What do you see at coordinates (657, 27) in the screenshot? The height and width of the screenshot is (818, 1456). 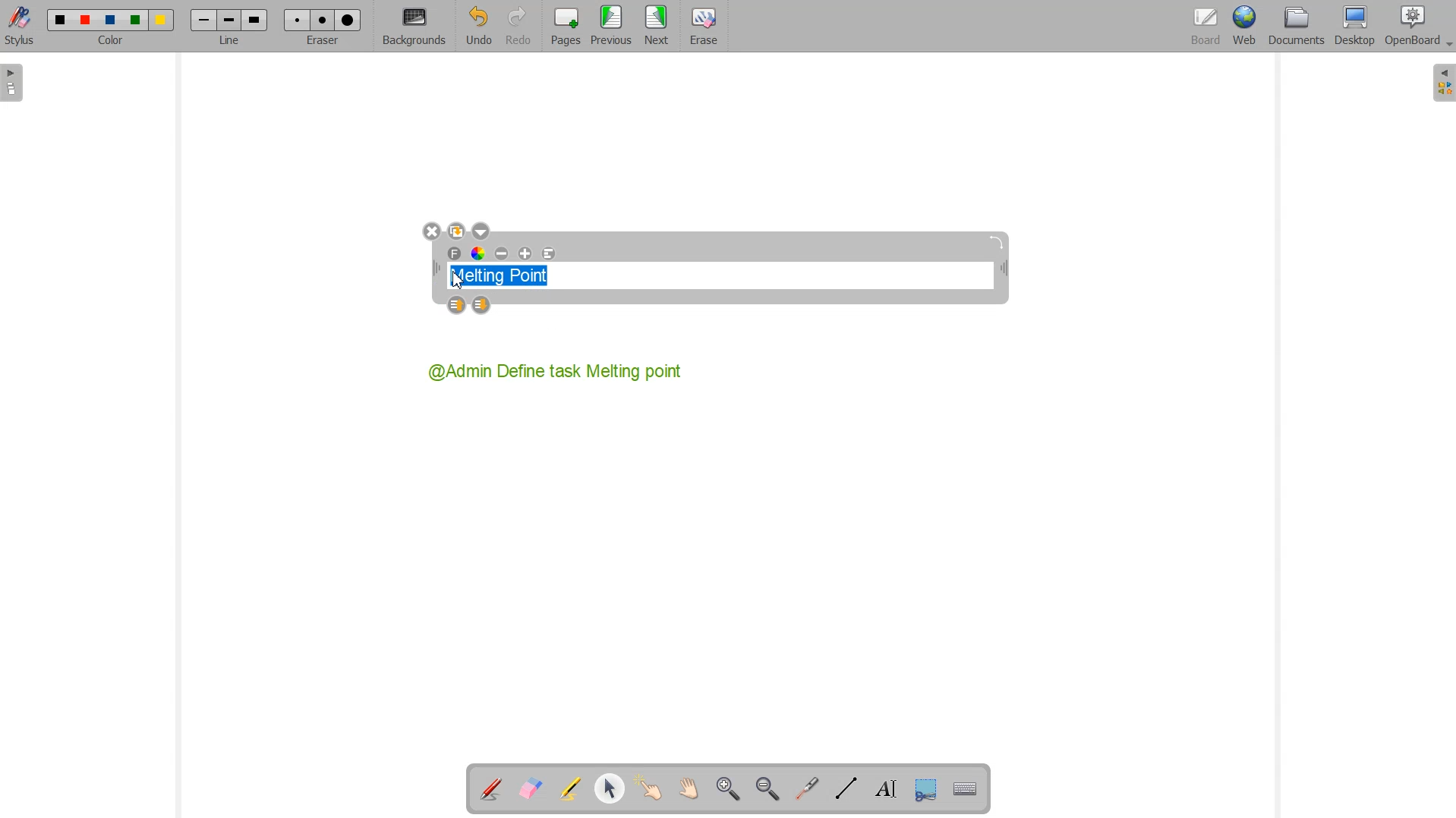 I see `Next` at bounding box center [657, 27].